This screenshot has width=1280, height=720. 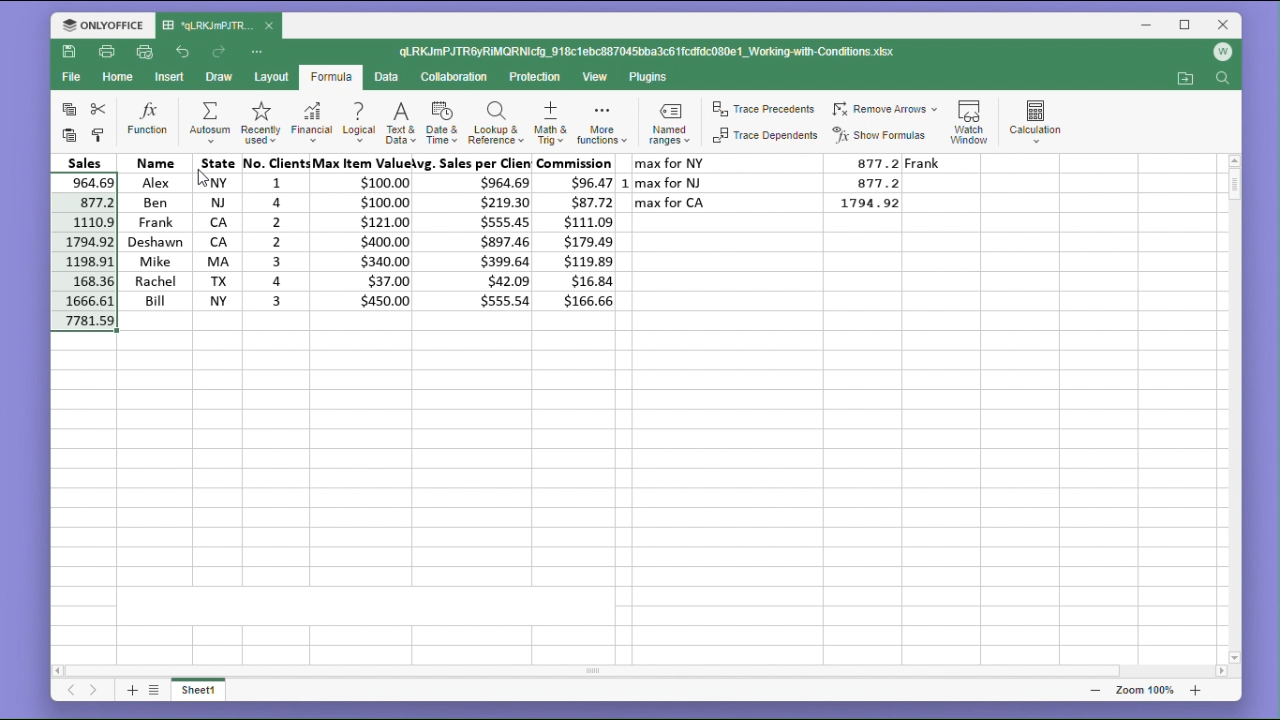 What do you see at coordinates (358, 124) in the screenshot?
I see `logical` at bounding box center [358, 124].